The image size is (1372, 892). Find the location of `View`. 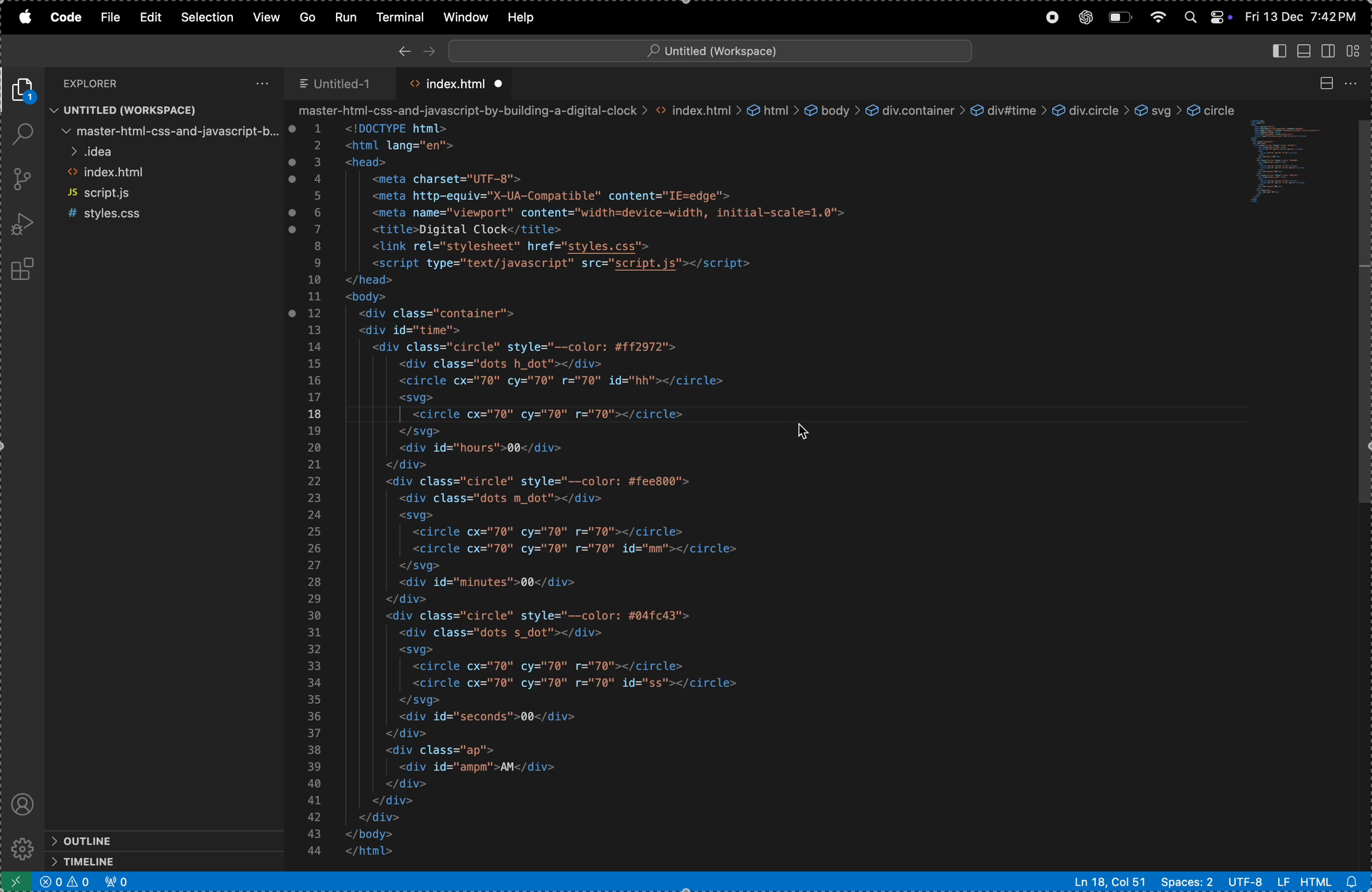

View is located at coordinates (268, 17).